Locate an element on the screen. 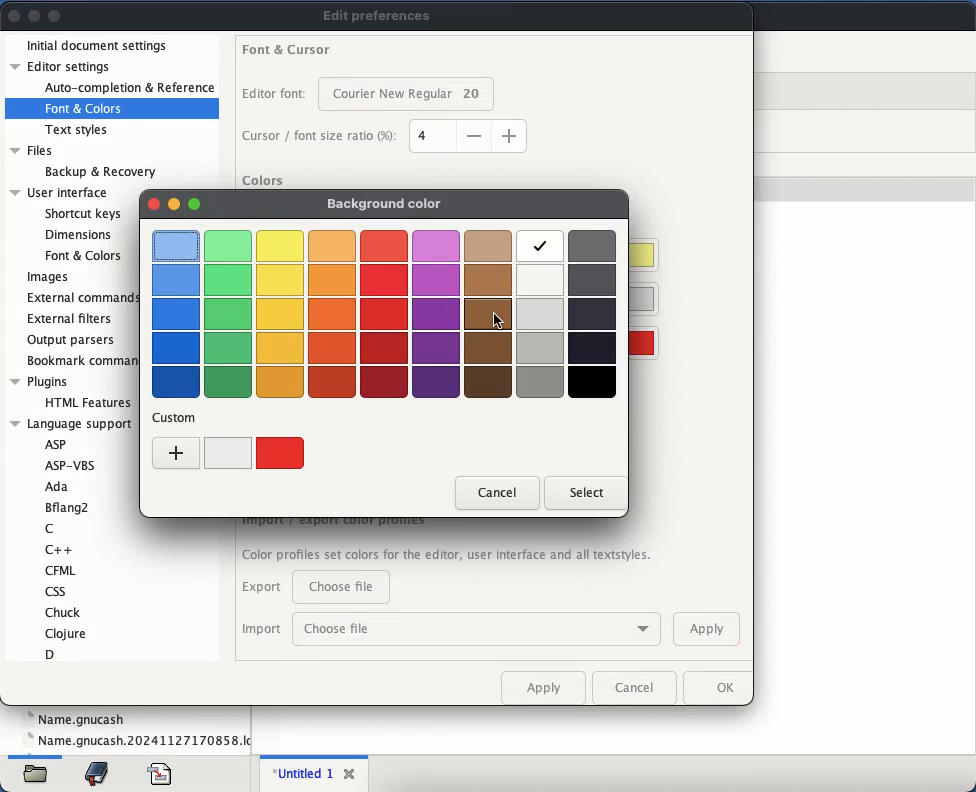 This screenshot has width=976, height=792. initial document settings is located at coordinates (101, 44).